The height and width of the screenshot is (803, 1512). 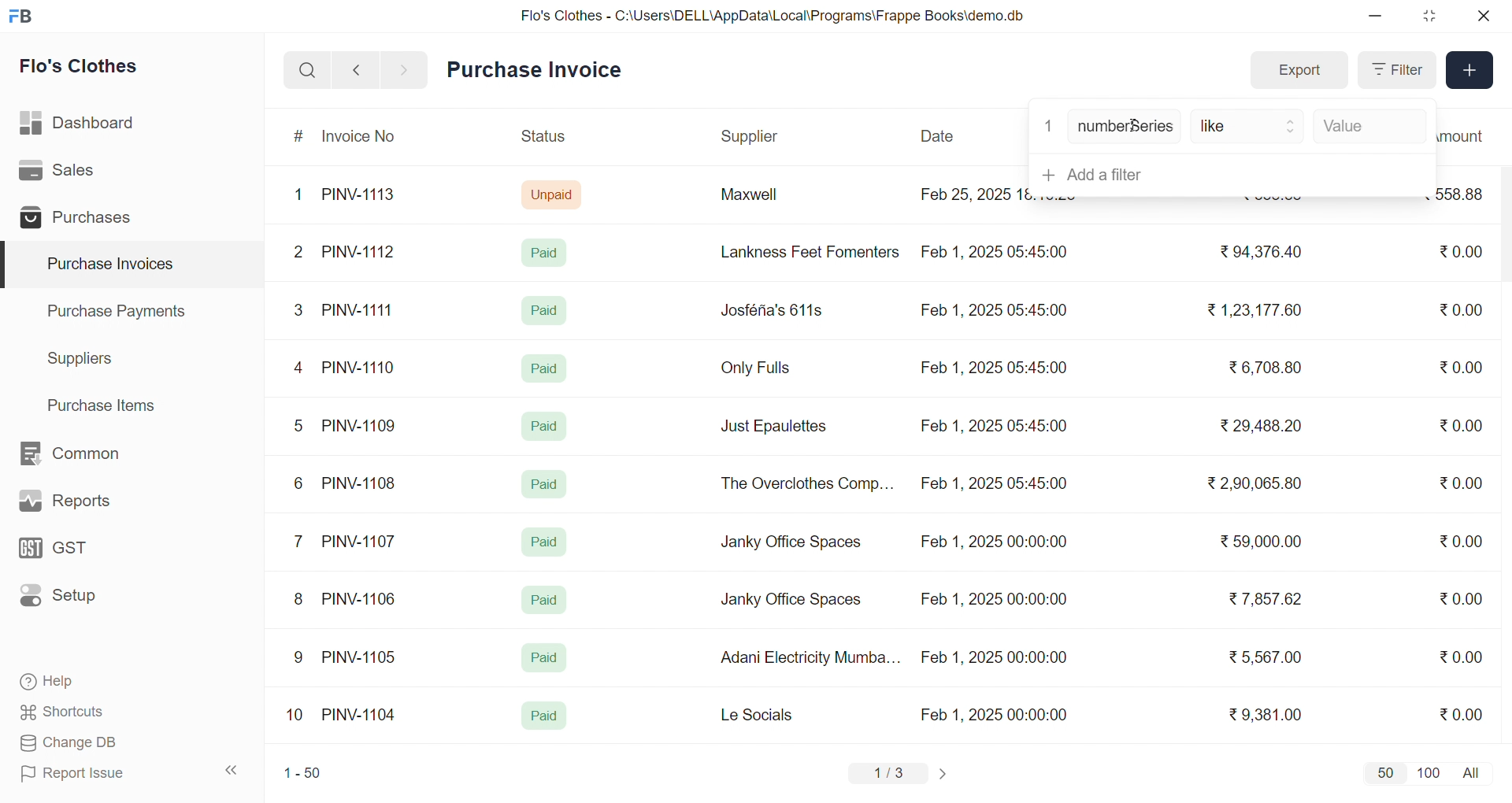 I want to click on ₹0.00, so click(x=1466, y=539).